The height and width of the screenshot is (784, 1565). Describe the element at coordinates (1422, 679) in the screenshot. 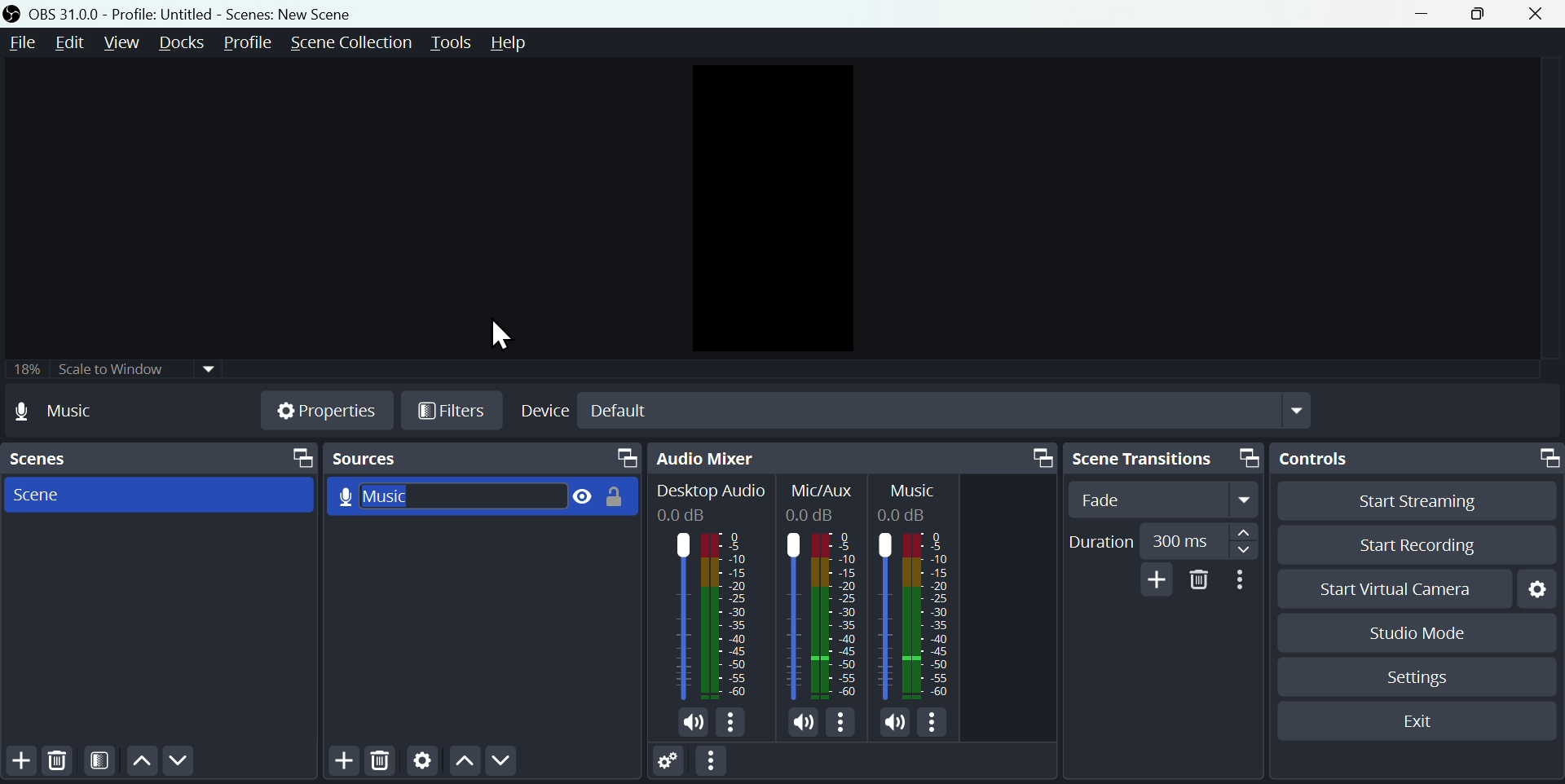

I see `Settings` at that location.